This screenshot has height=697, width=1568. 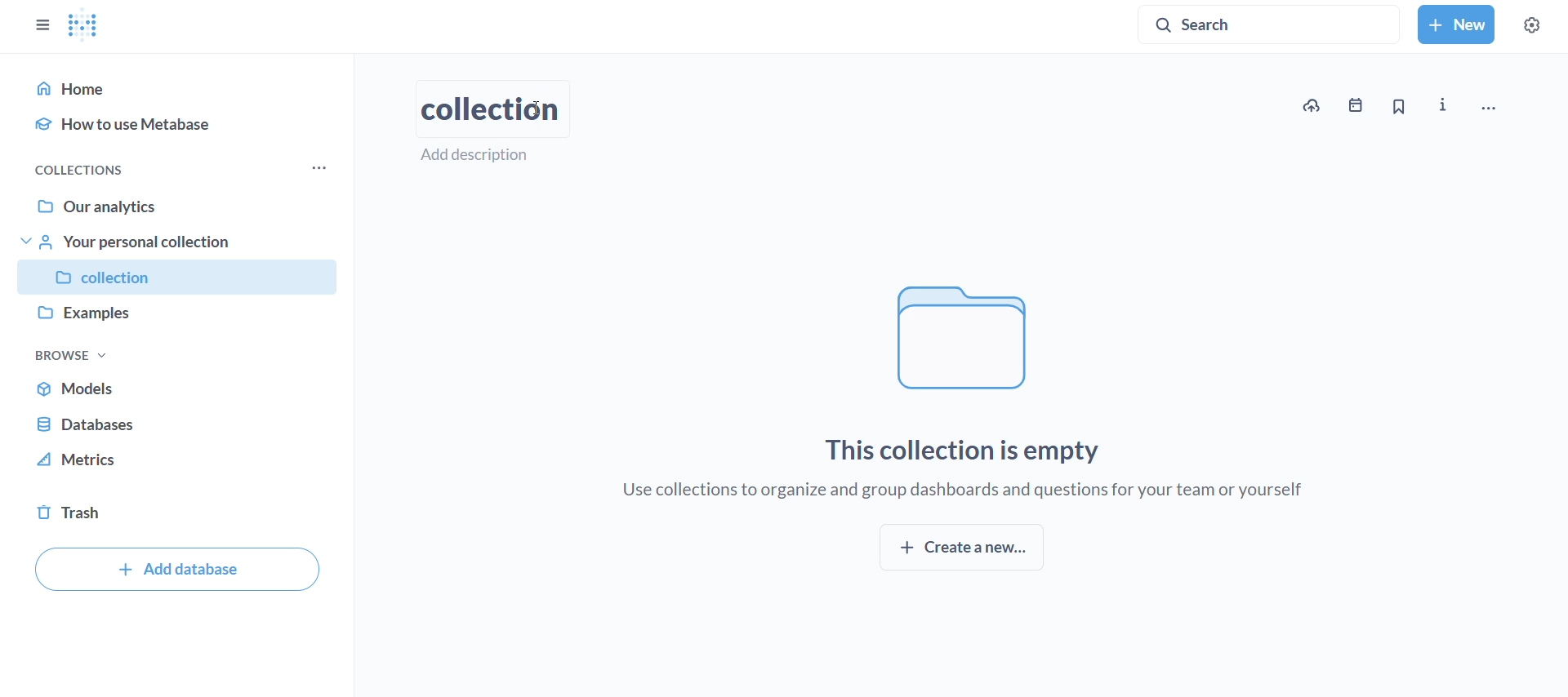 I want to click on database, so click(x=178, y=420).